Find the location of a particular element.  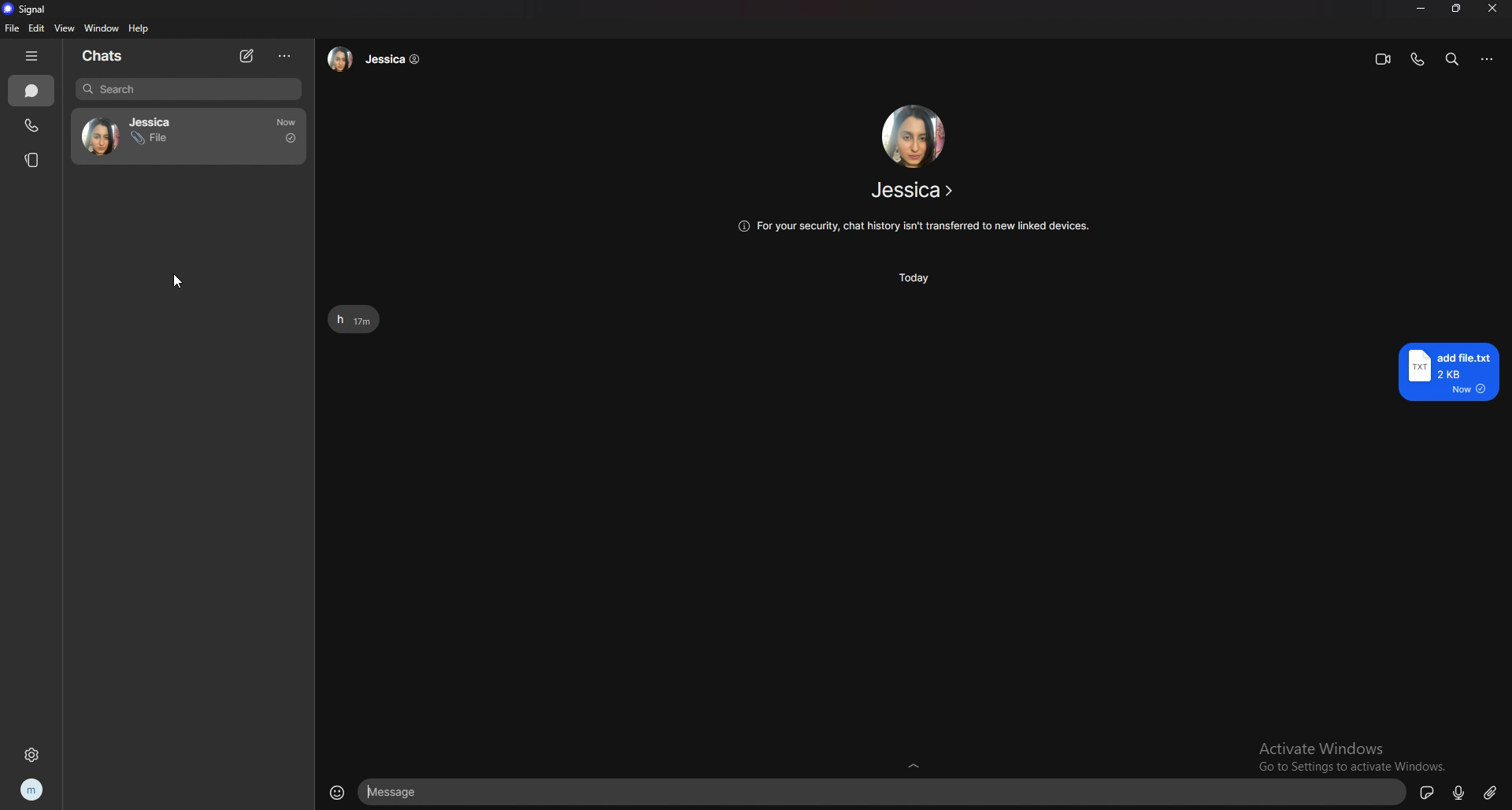

expand text box is located at coordinates (913, 763).